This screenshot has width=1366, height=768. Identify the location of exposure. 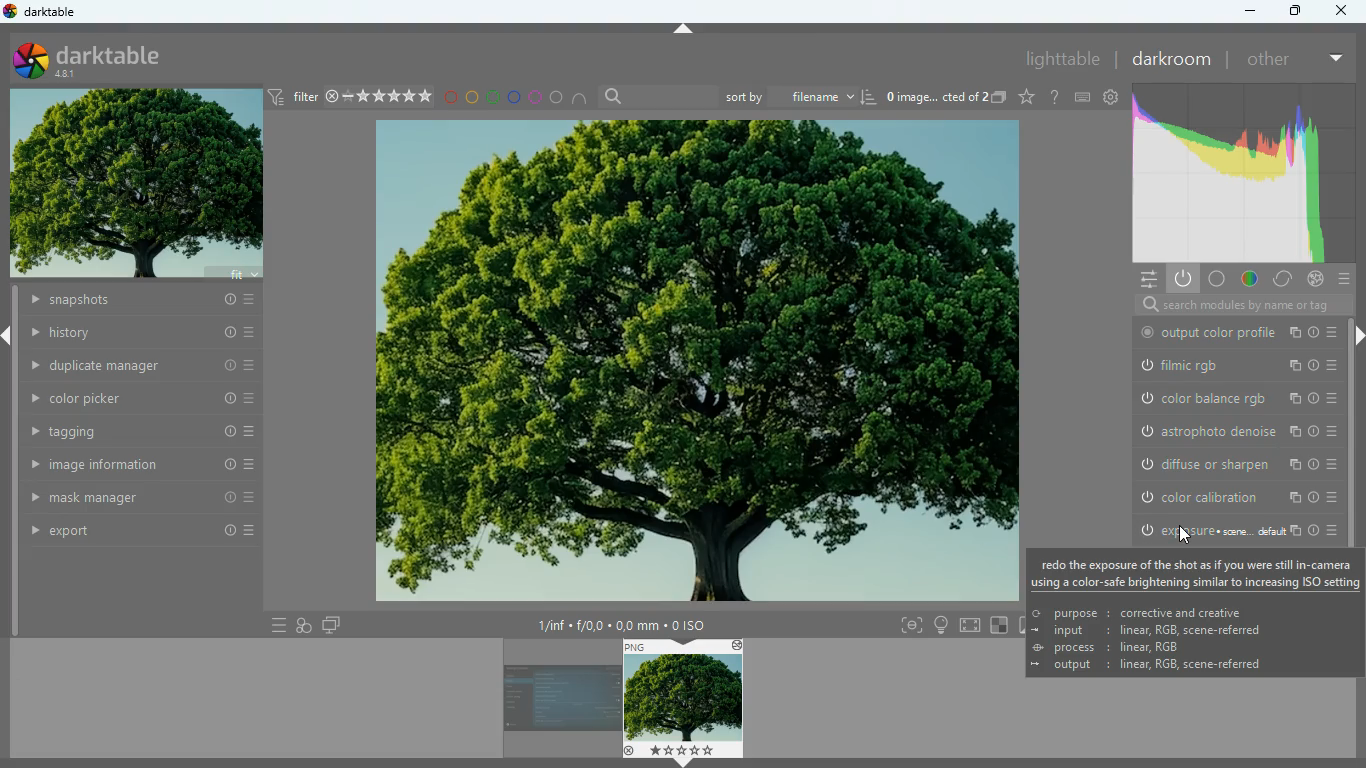
(1234, 531).